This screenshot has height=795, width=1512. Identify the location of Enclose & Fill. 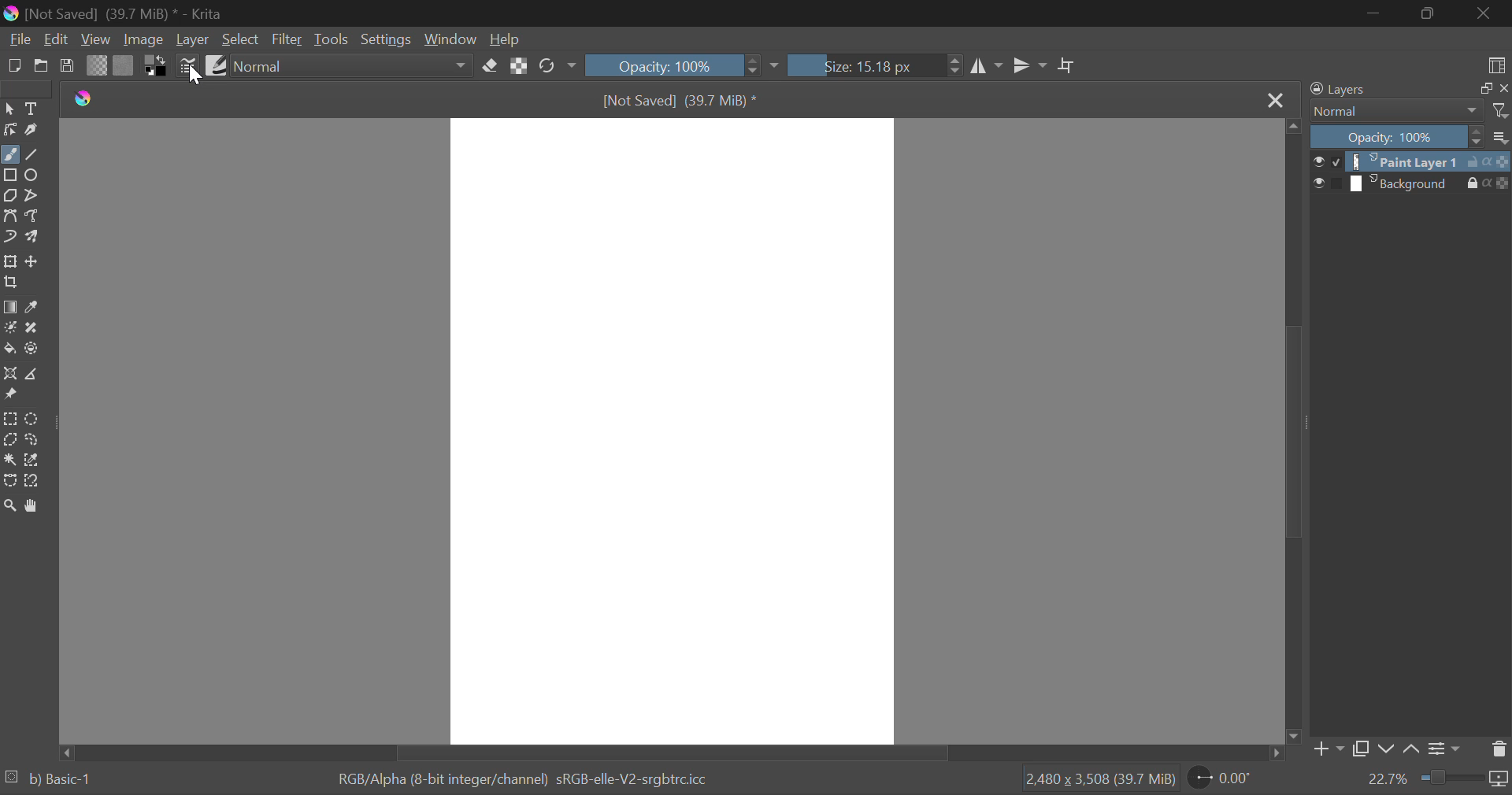
(32, 348).